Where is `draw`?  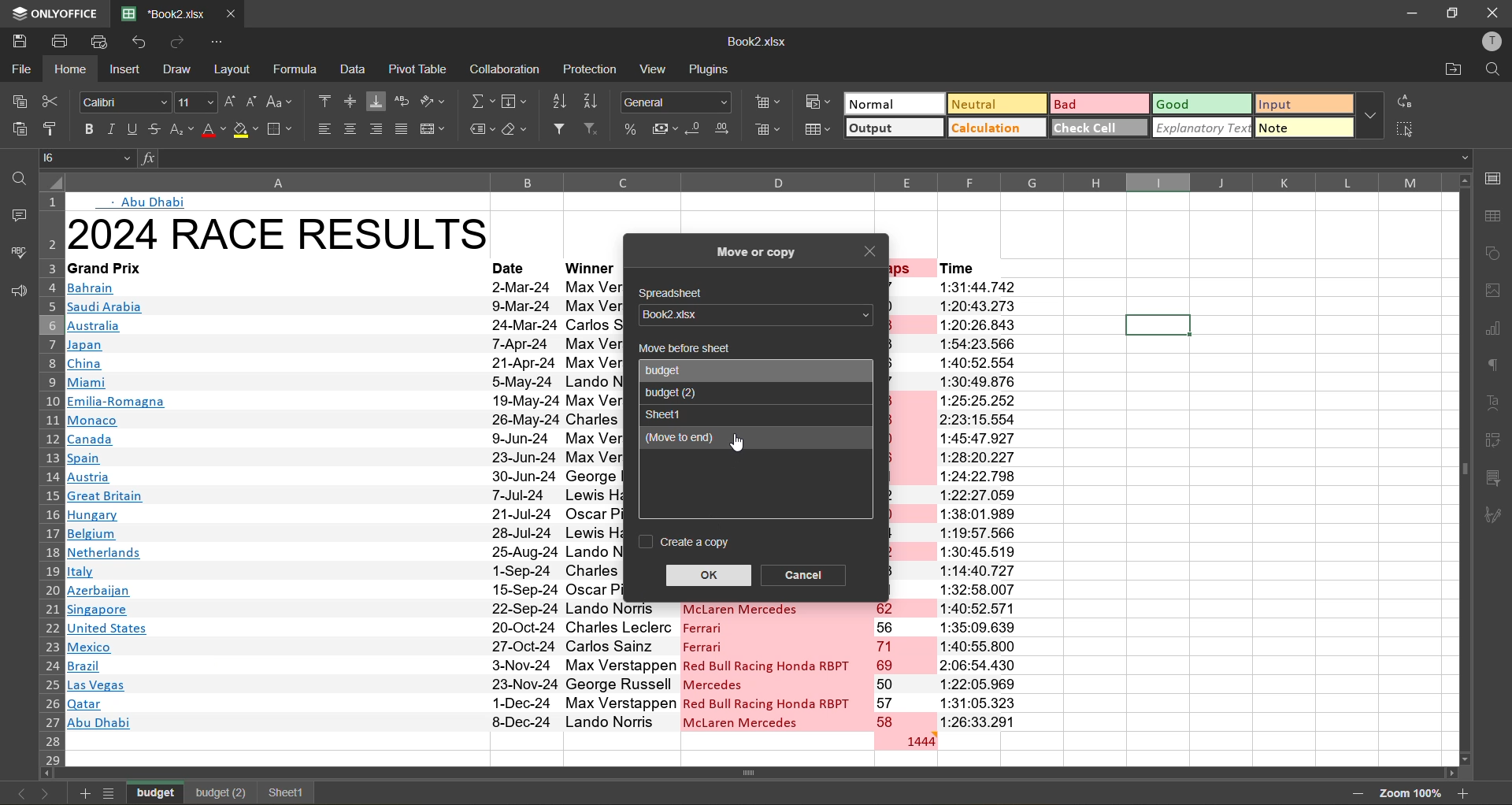 draw is located at coordinates (180, 71).